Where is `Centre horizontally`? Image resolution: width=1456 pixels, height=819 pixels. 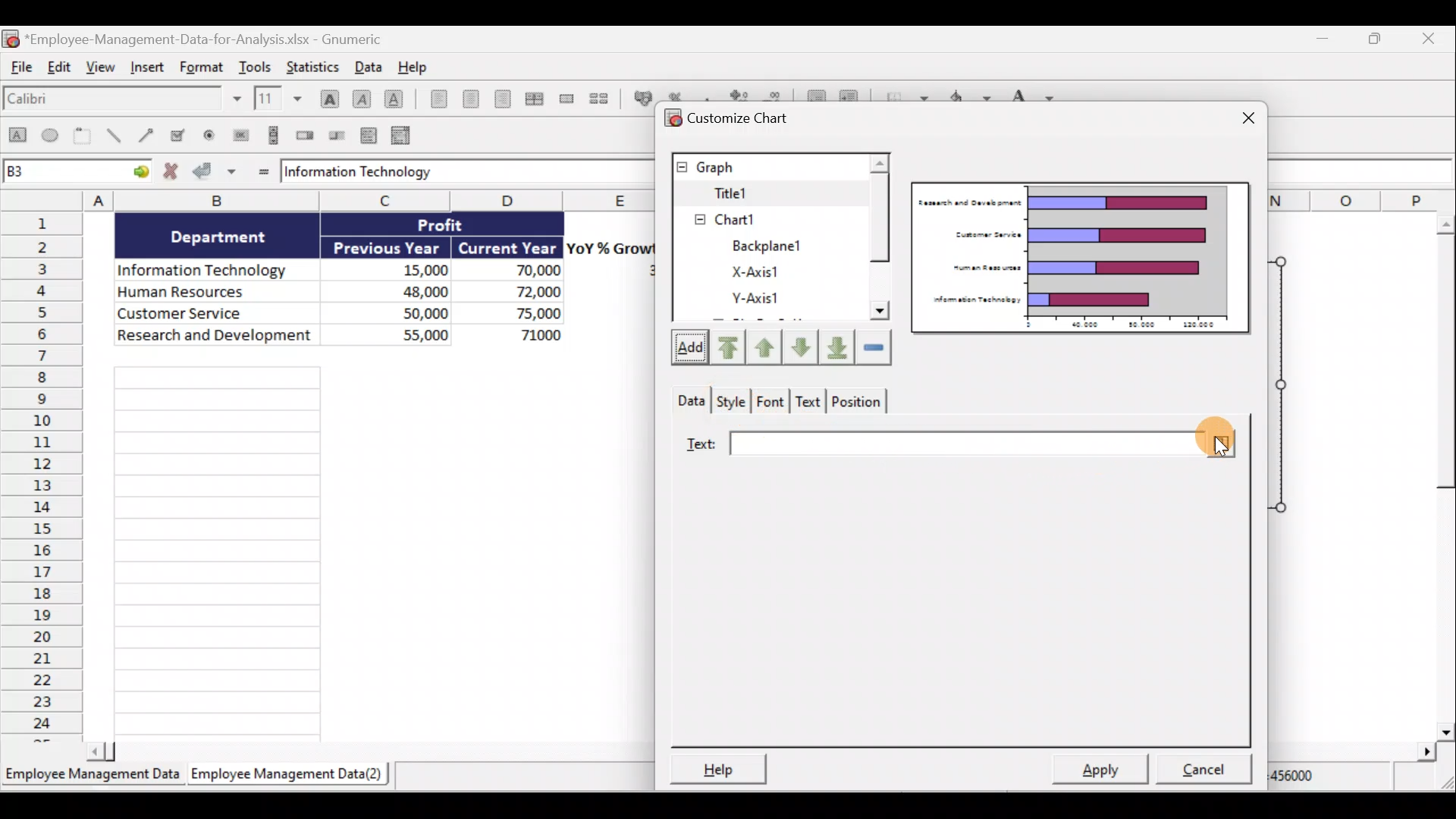
Centre horizontally is located at coordinates (467, 99).